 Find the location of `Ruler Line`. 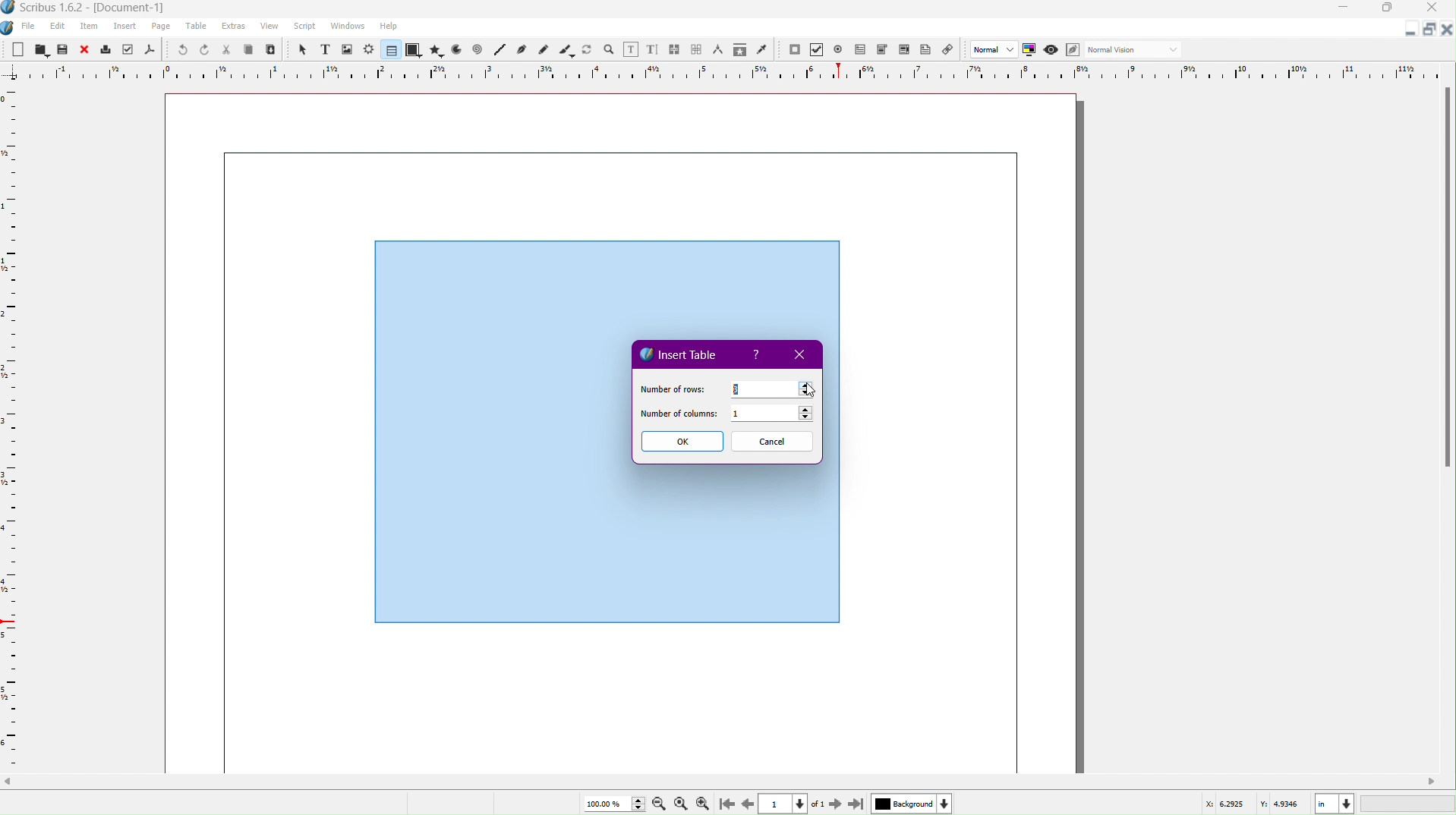

Ruler Line is located at coordinates (728, 71).